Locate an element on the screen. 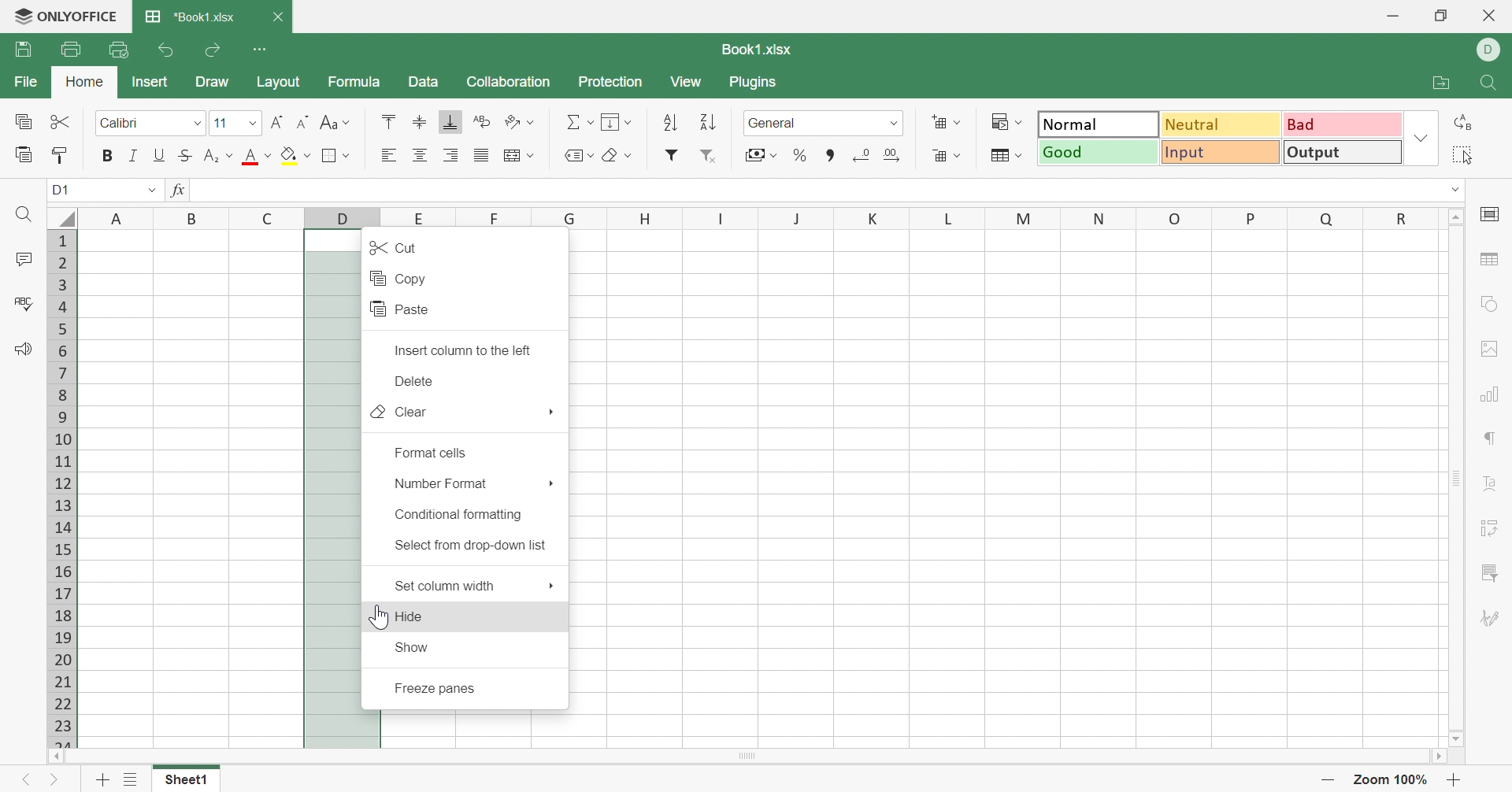  Drop Down is located at coordinates (347, 122).